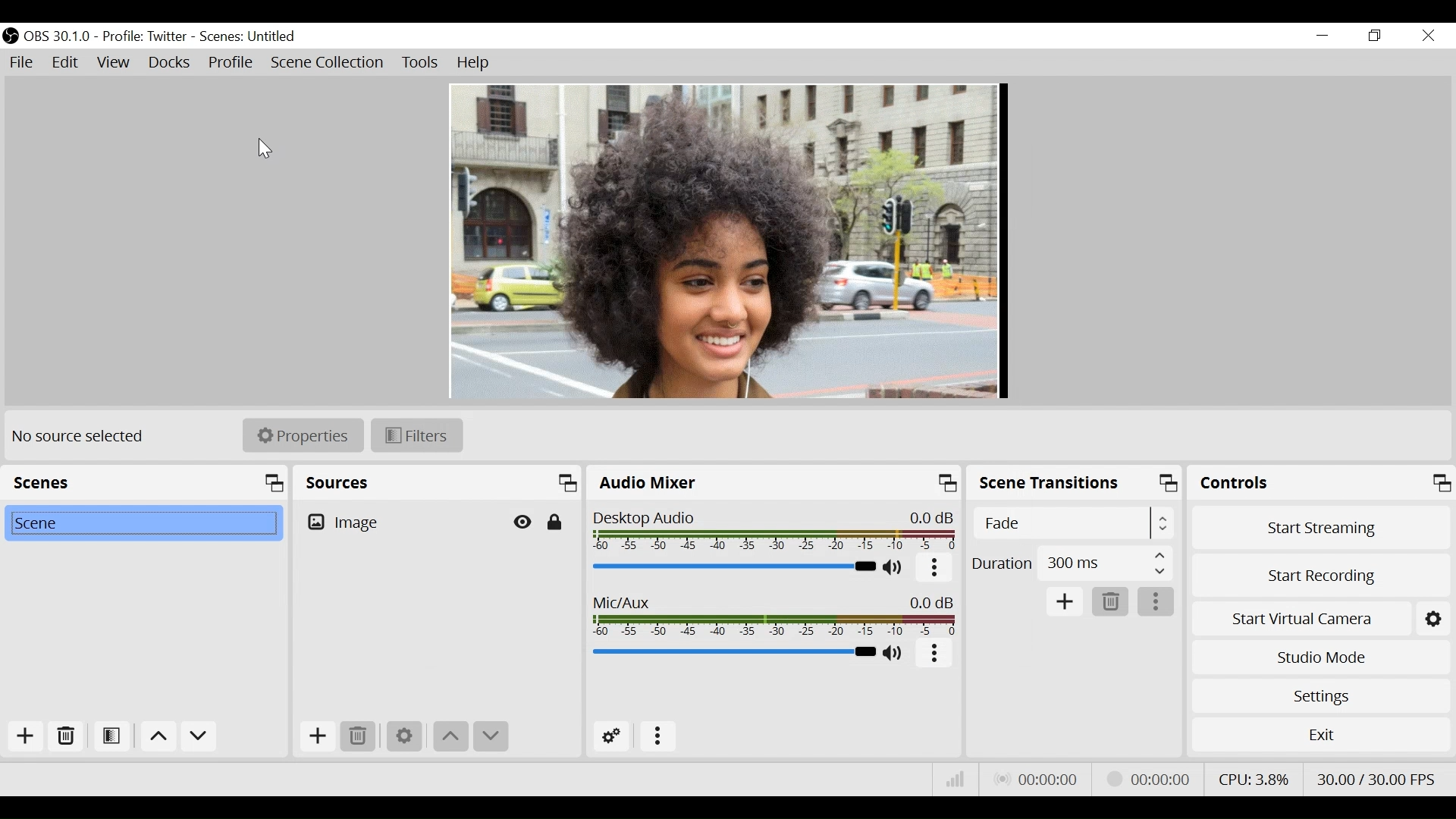 The image size is (1456, 819). I want to click on Select Duration, so click(1072, 562).